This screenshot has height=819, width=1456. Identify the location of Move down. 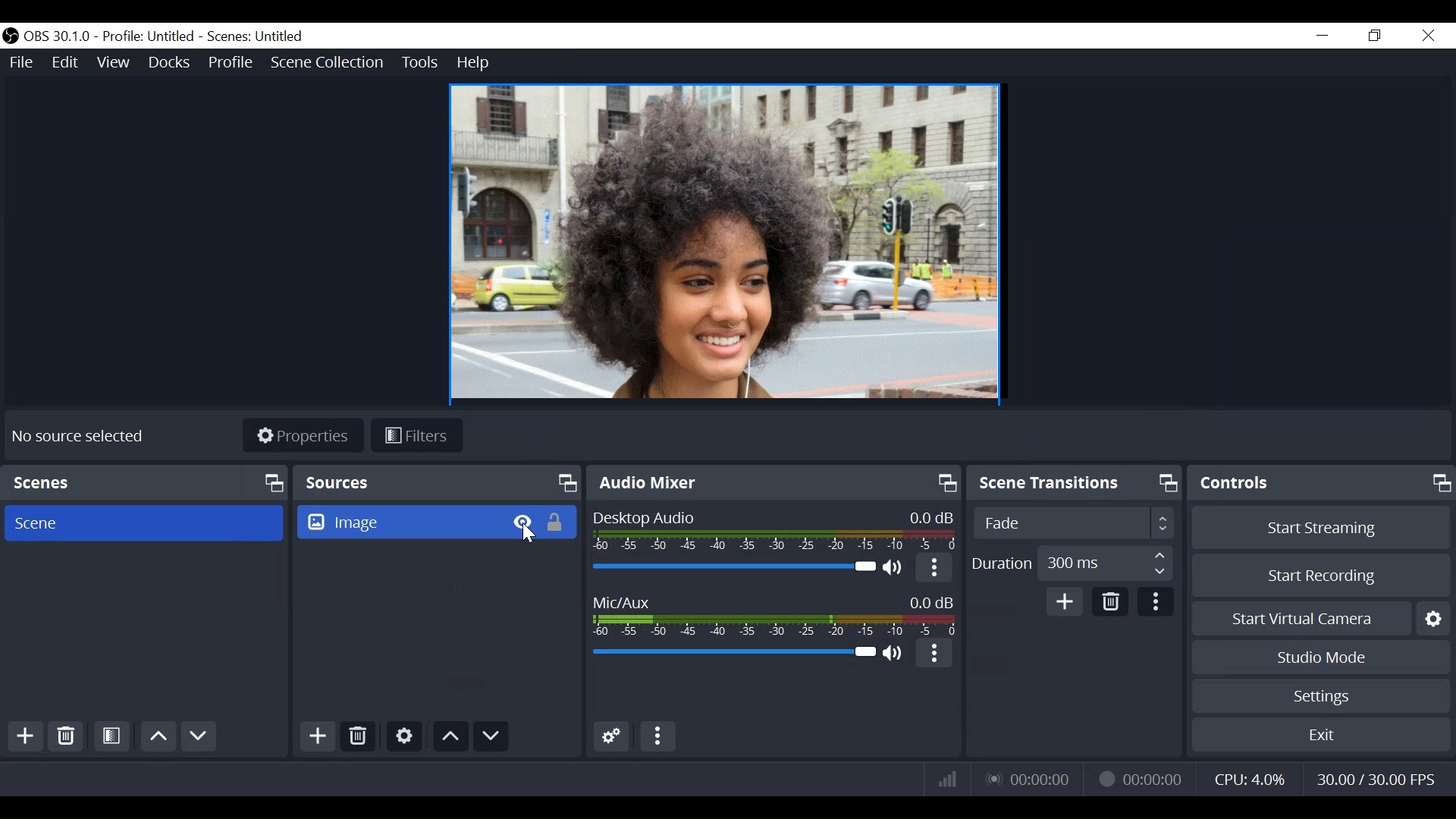
(491, 736).